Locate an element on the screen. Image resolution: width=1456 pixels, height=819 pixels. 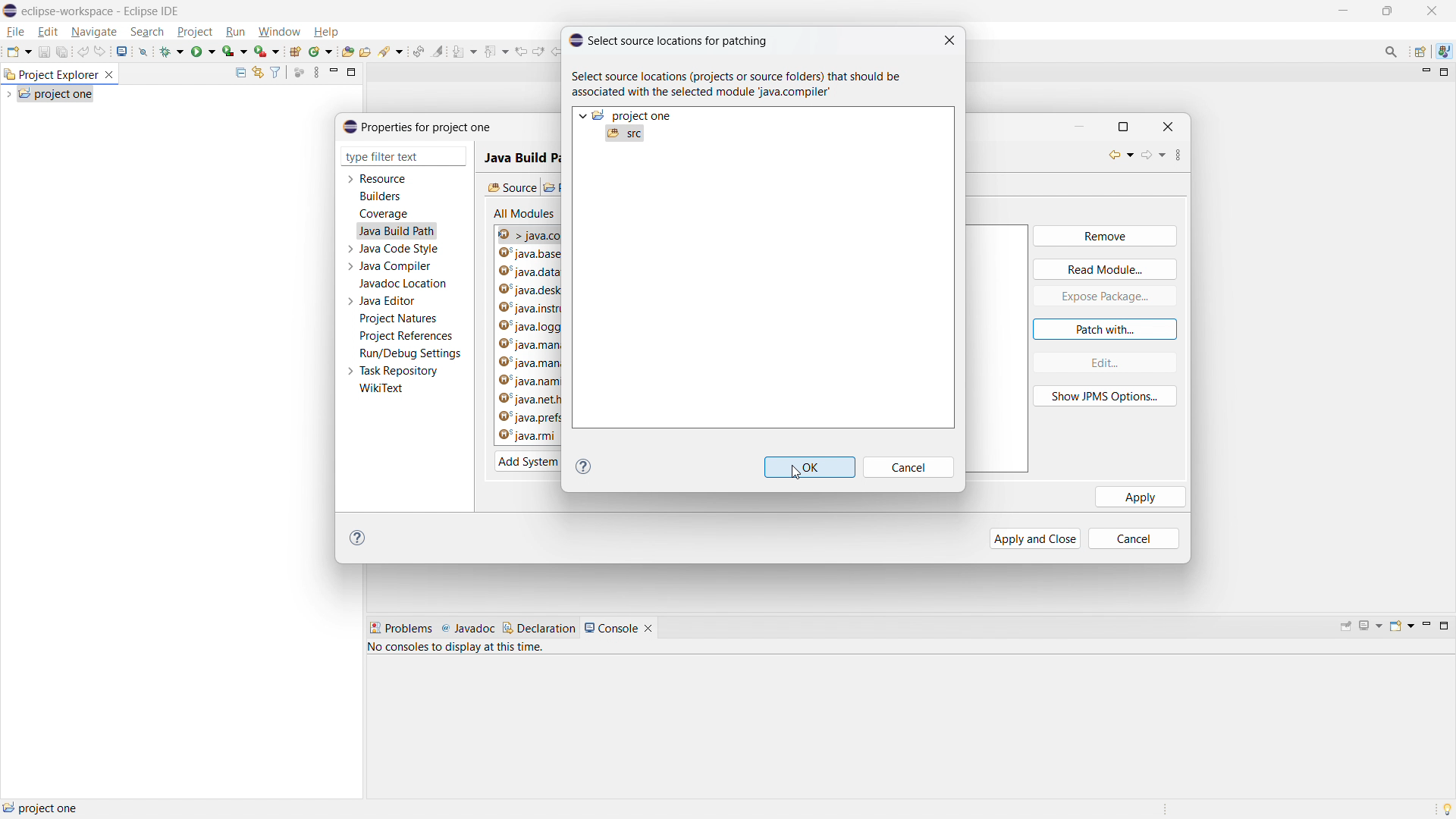
toggle ant editor auto reconcile is located at coordinates (418, 51).